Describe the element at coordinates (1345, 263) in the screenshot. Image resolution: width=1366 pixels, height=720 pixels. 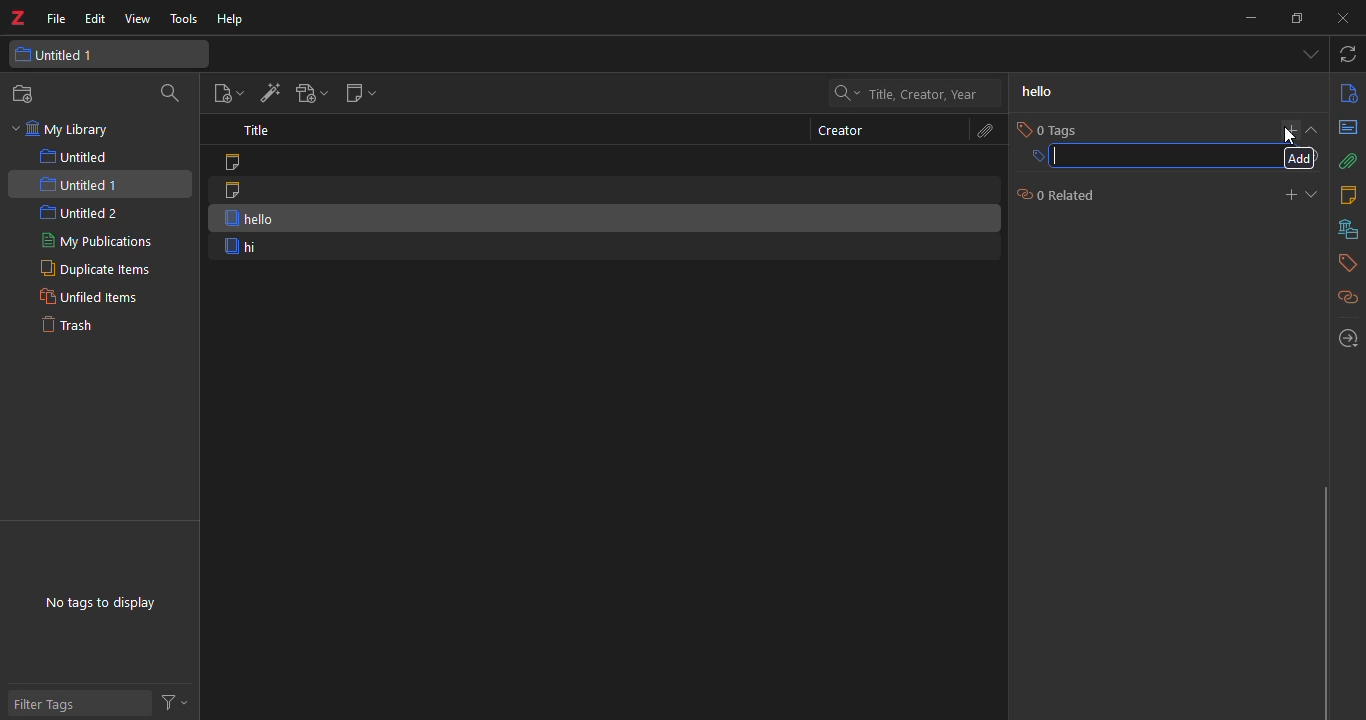
I see `tags` at that location.